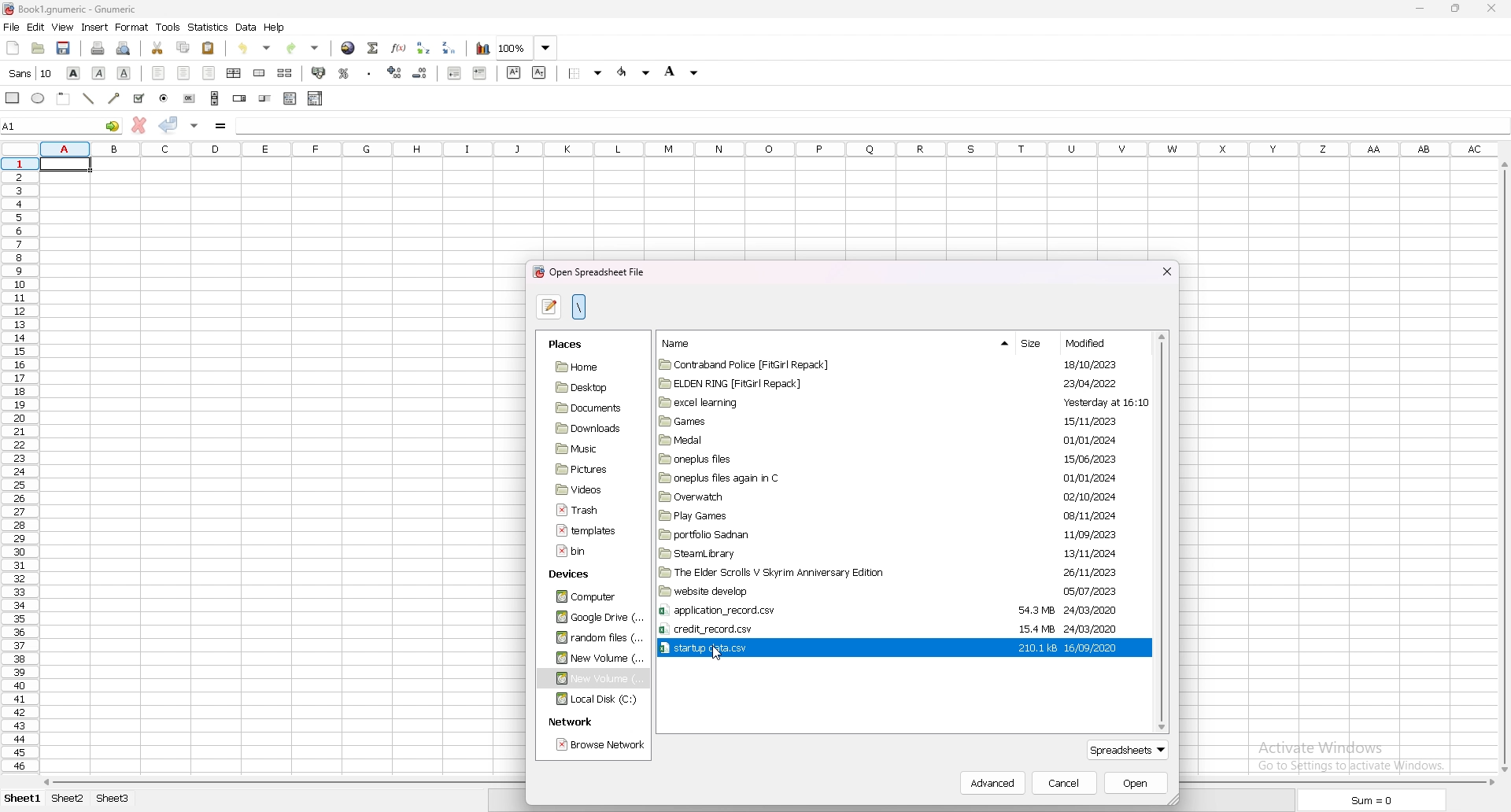  Describe the element at coordinates (588, 387) in the screenshot. I see `folder` at that location.